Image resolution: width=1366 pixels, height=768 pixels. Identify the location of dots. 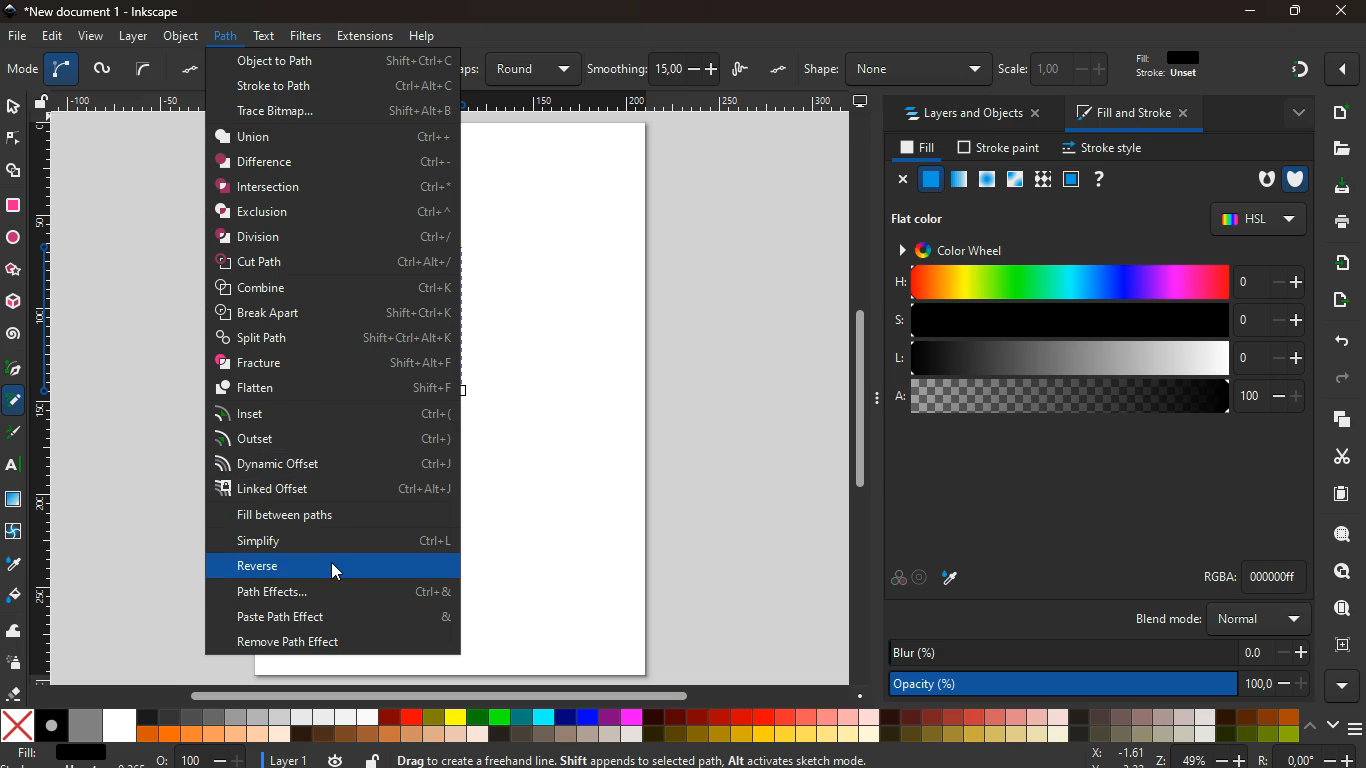
(193, 70).